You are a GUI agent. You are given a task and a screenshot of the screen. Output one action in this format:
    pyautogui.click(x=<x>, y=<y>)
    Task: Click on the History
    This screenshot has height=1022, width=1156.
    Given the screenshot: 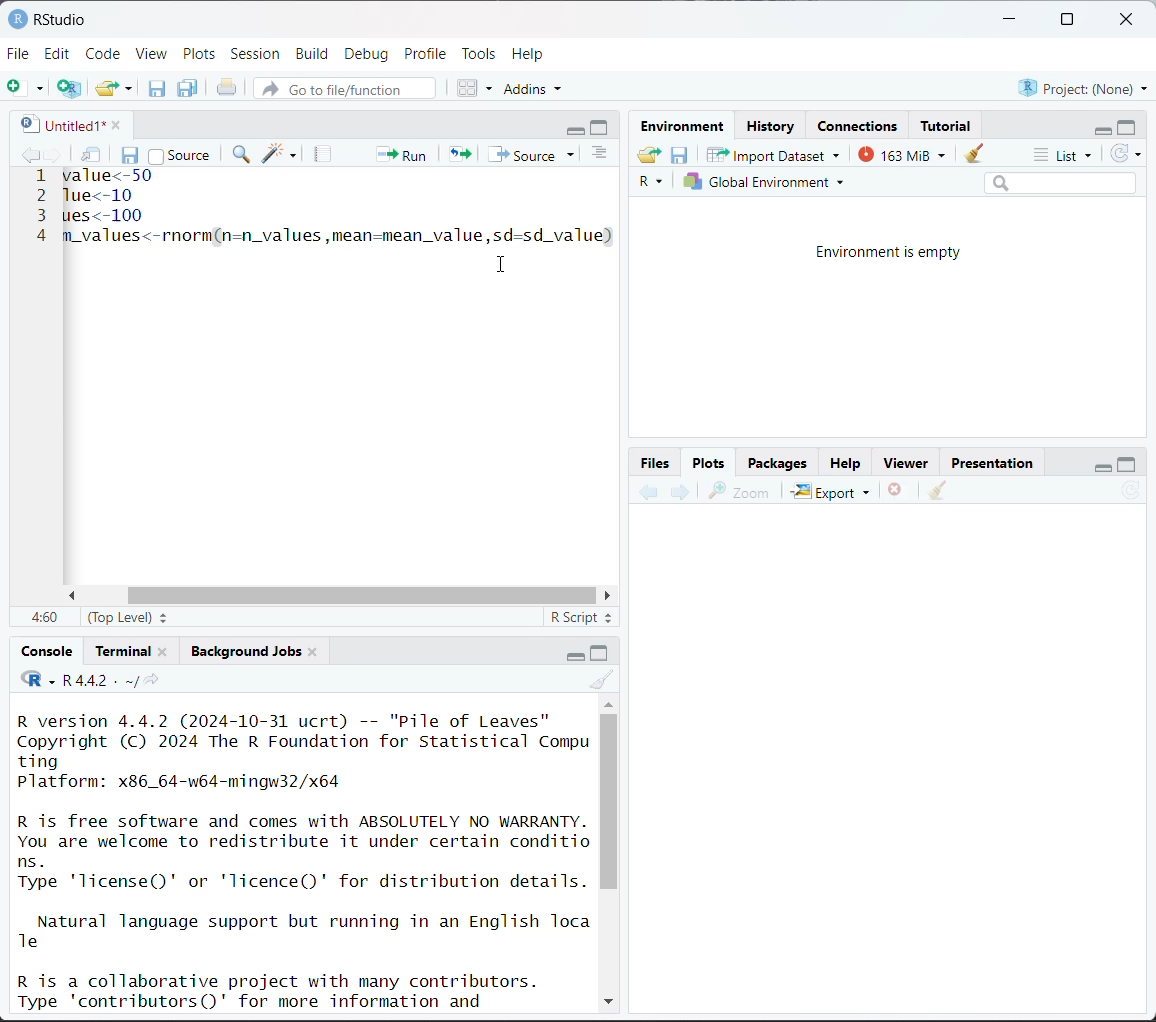 What is the action you would take?
    pyautogui.click(x=772, y=126)
    